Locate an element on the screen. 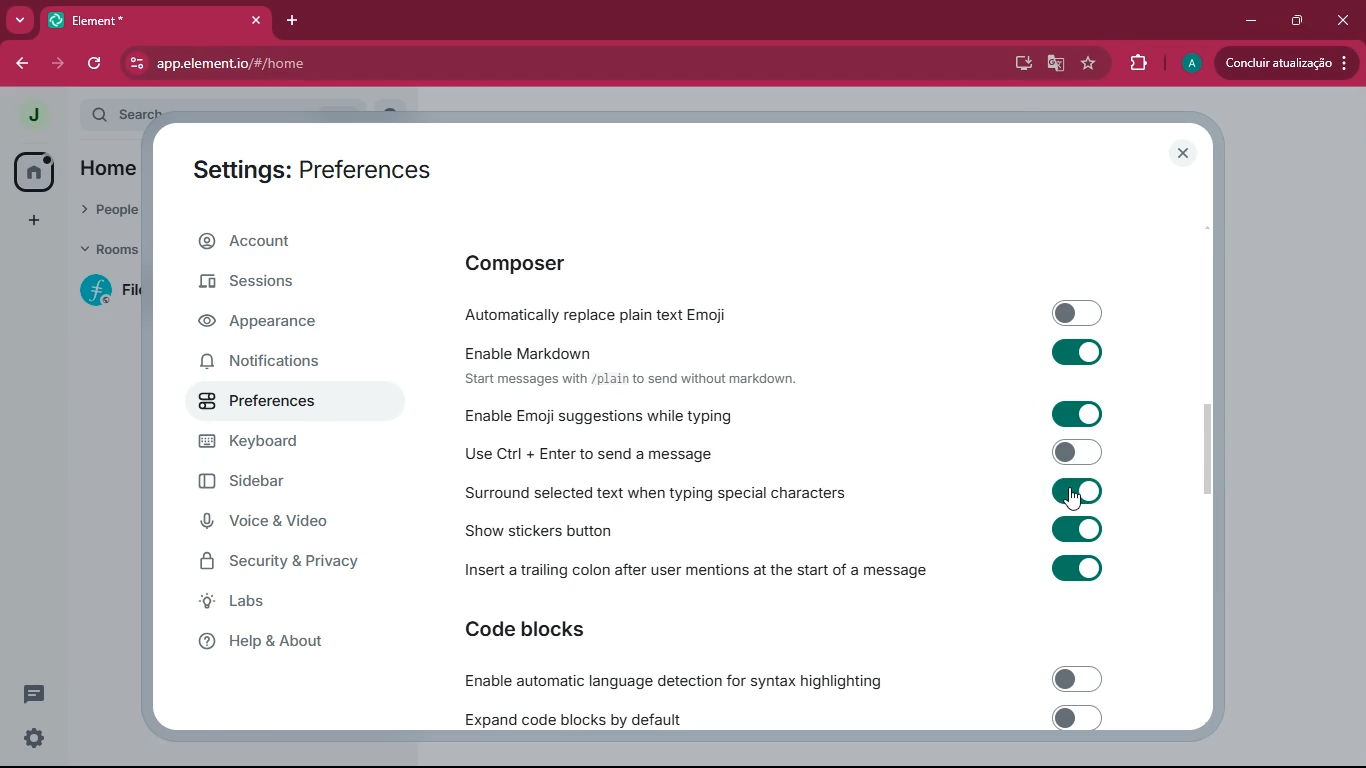 The height and width of the screenshot is (768, 1366). voice & video is located at coordinates (270, 522).